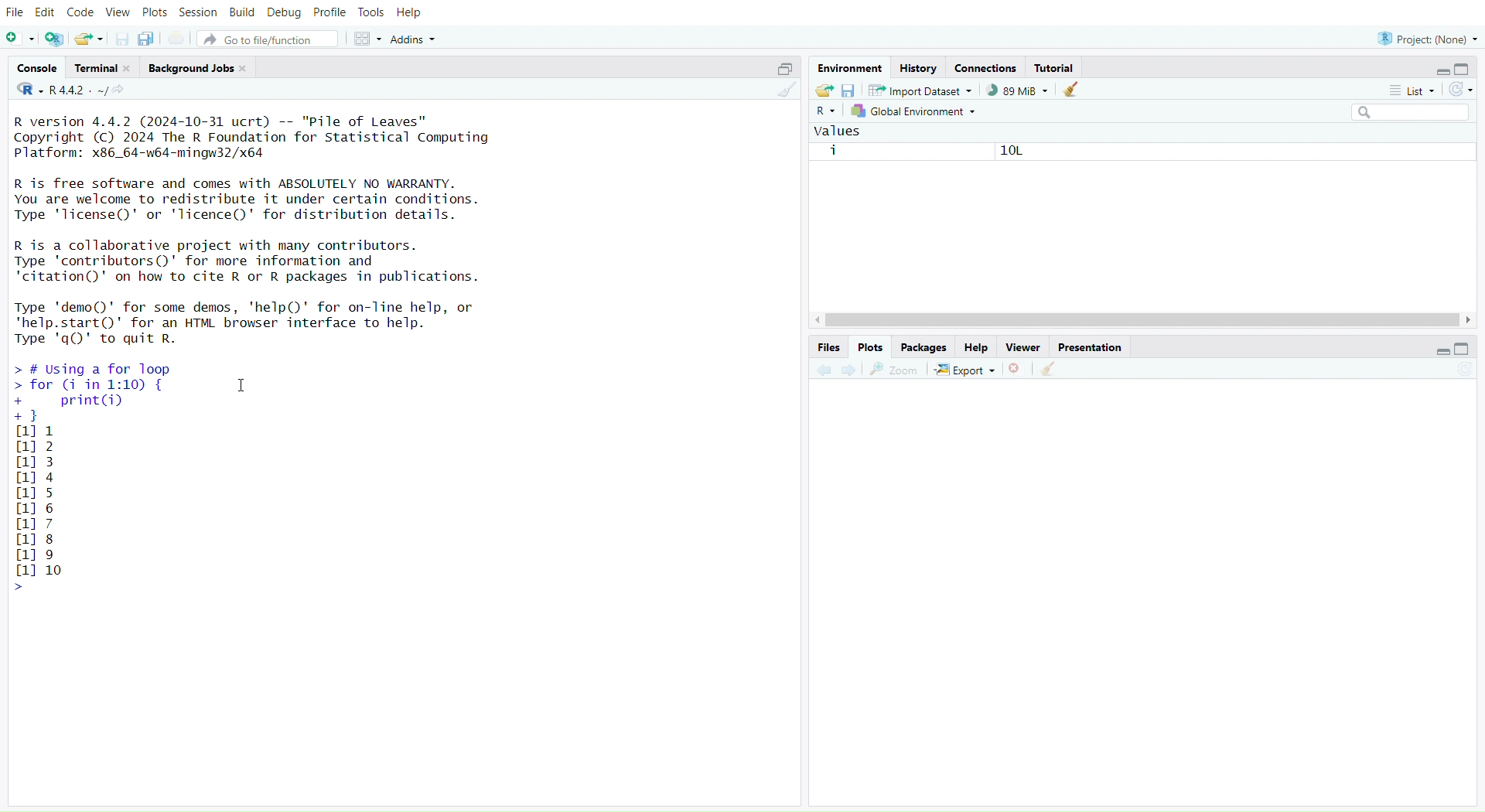  Describe the element at coordinates (118, 12) in the screenshot. I see `view` at that location.